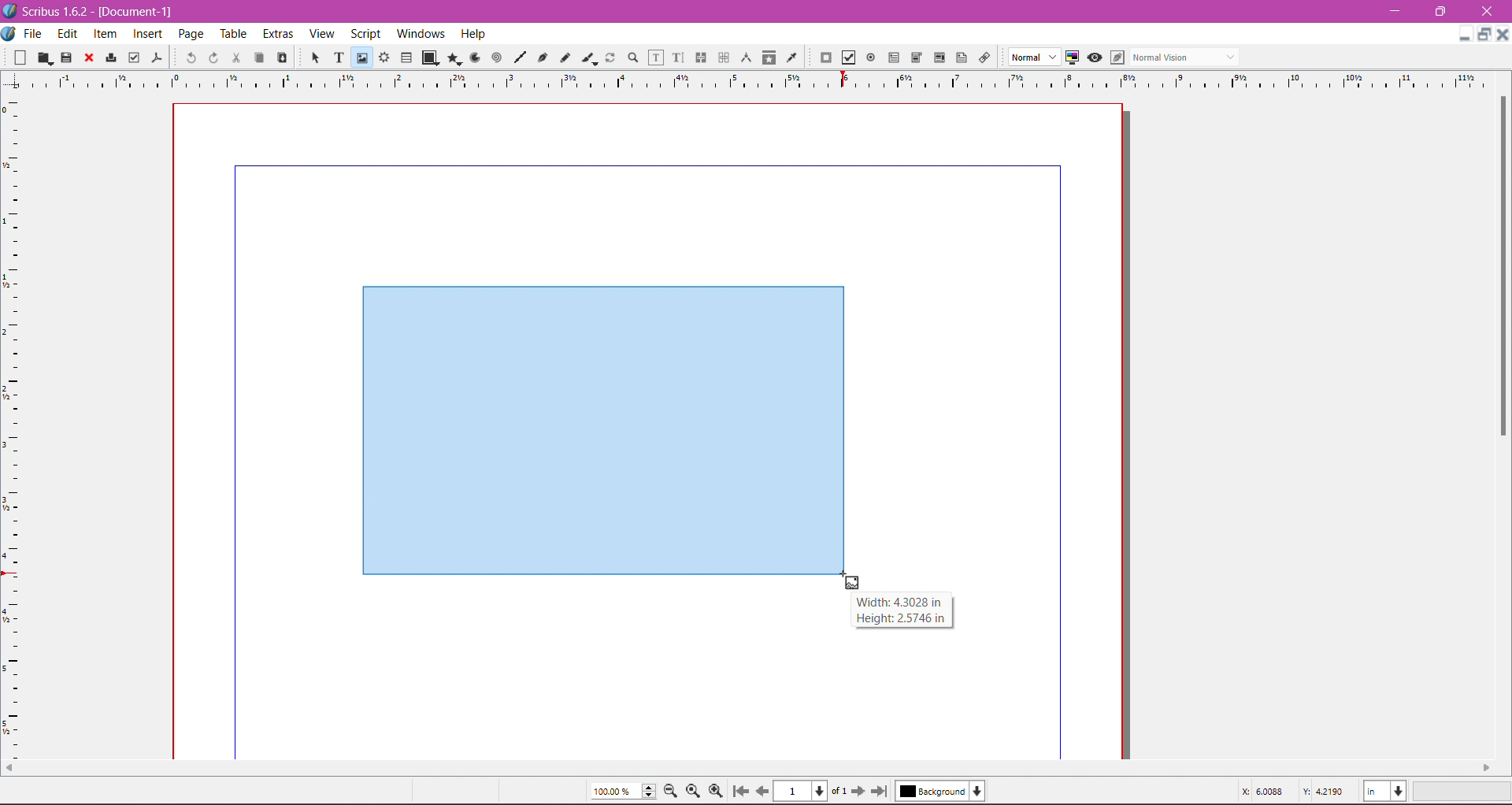  What do you see at coordinates (984, 58) in the screenshot?
I see `Link Annotations` at bounding box center [984, 58].